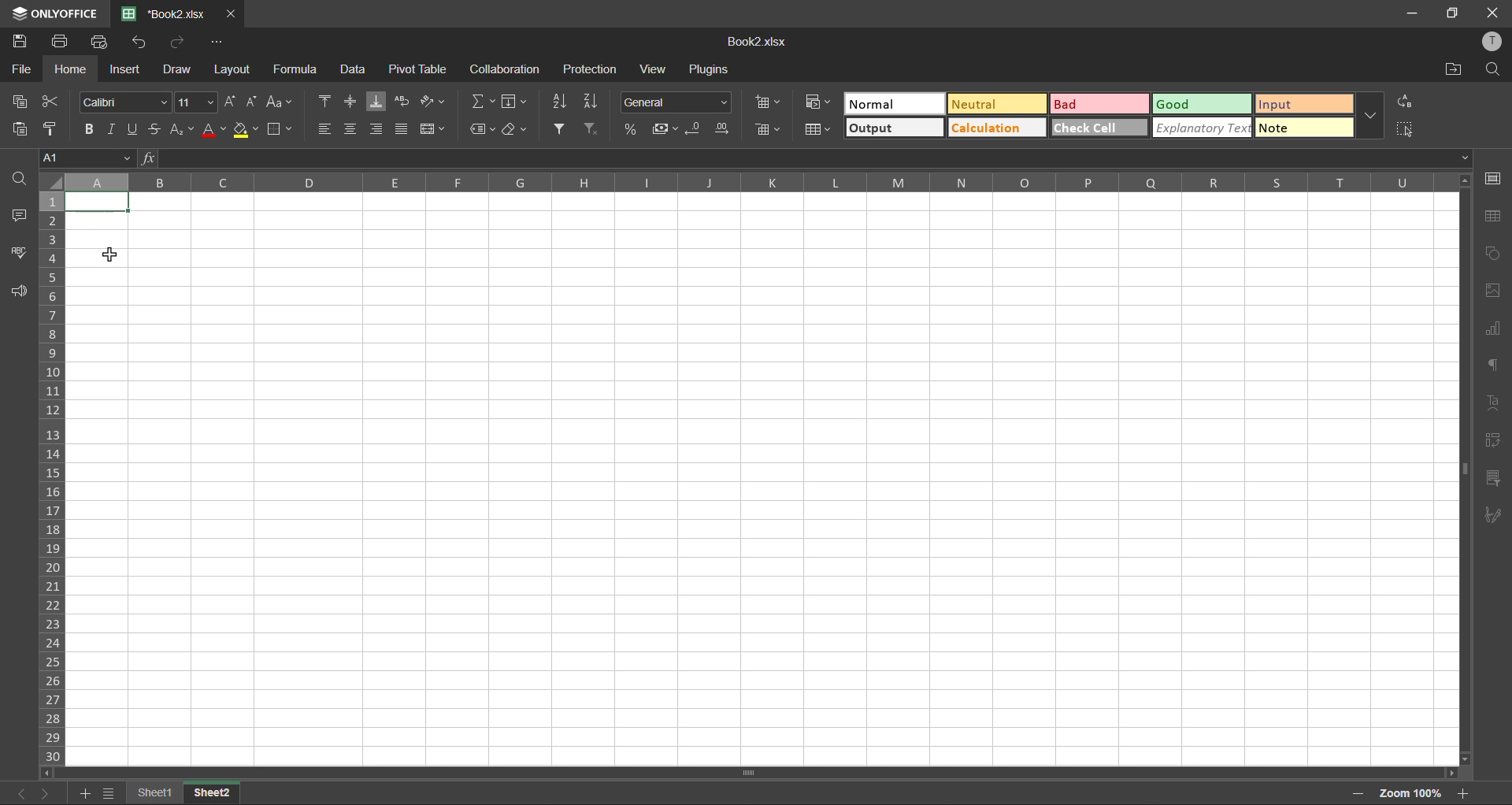 The height and width of the screenshot is (805, 1512). What do you see at coordinates (23, 42) in the screenshot?
I see `save` at bounding box center [23, 42].